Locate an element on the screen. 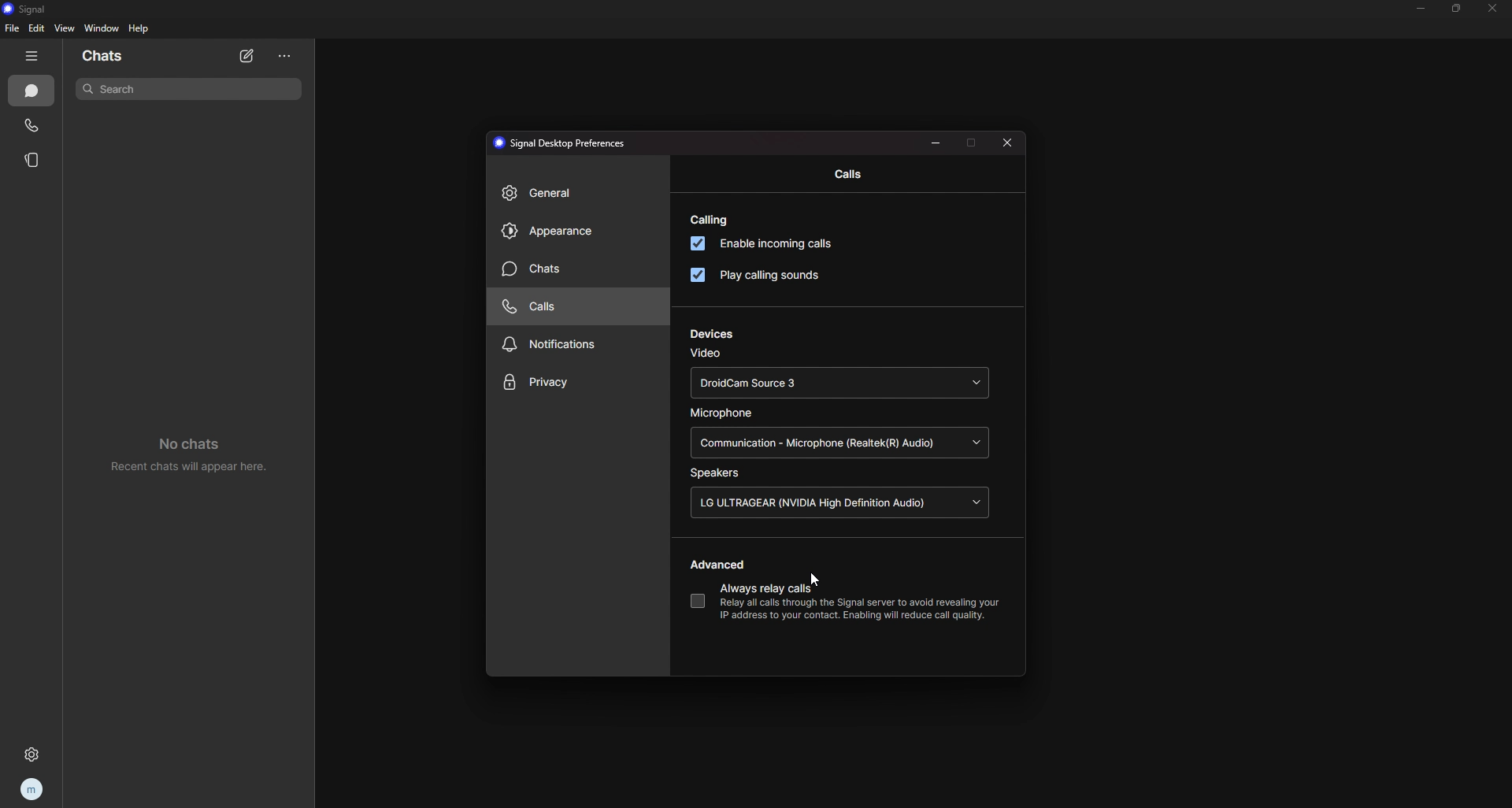  options is located at coordinates (286, 57).